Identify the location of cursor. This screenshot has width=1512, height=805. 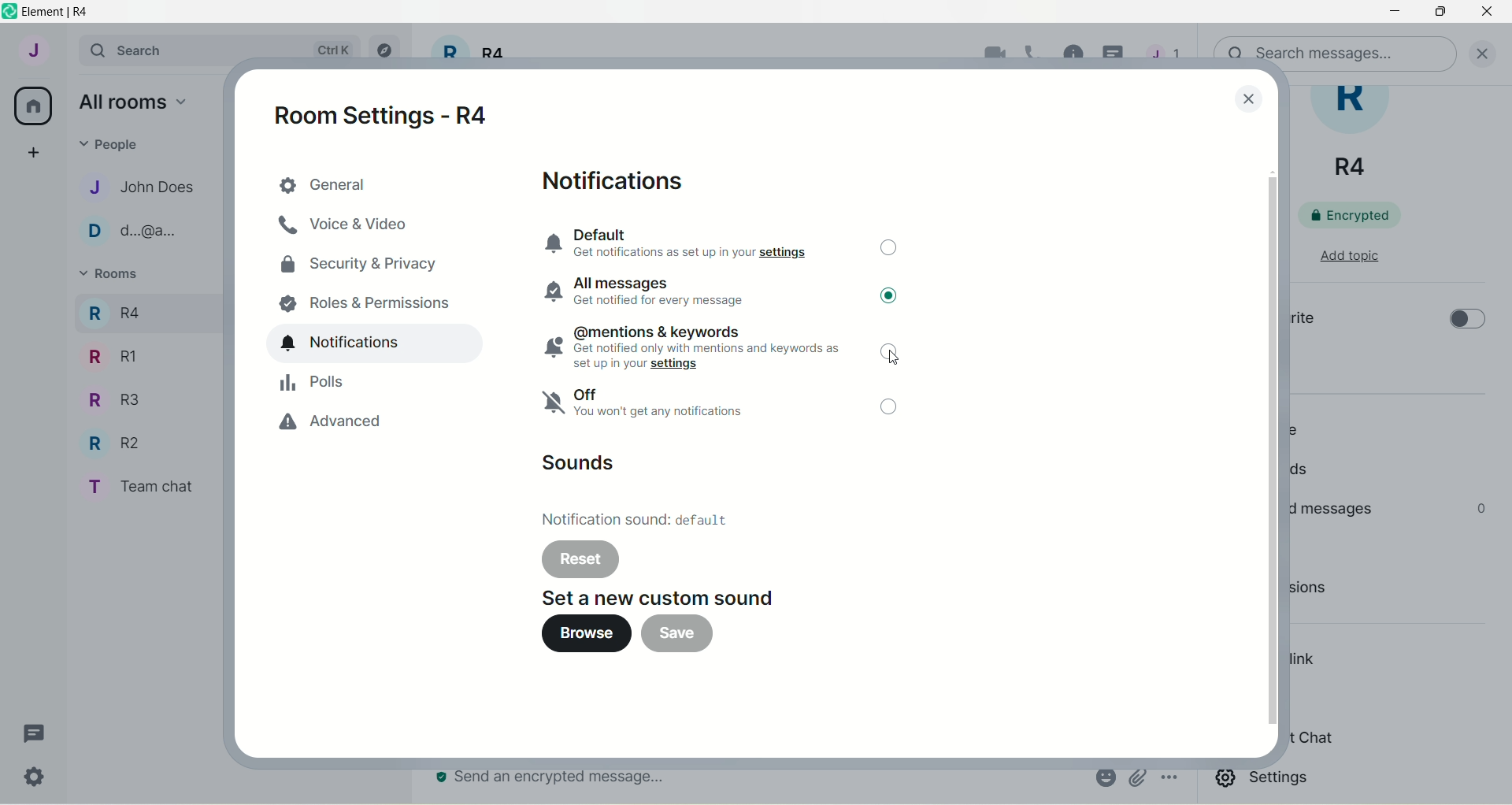
(1116, 55).